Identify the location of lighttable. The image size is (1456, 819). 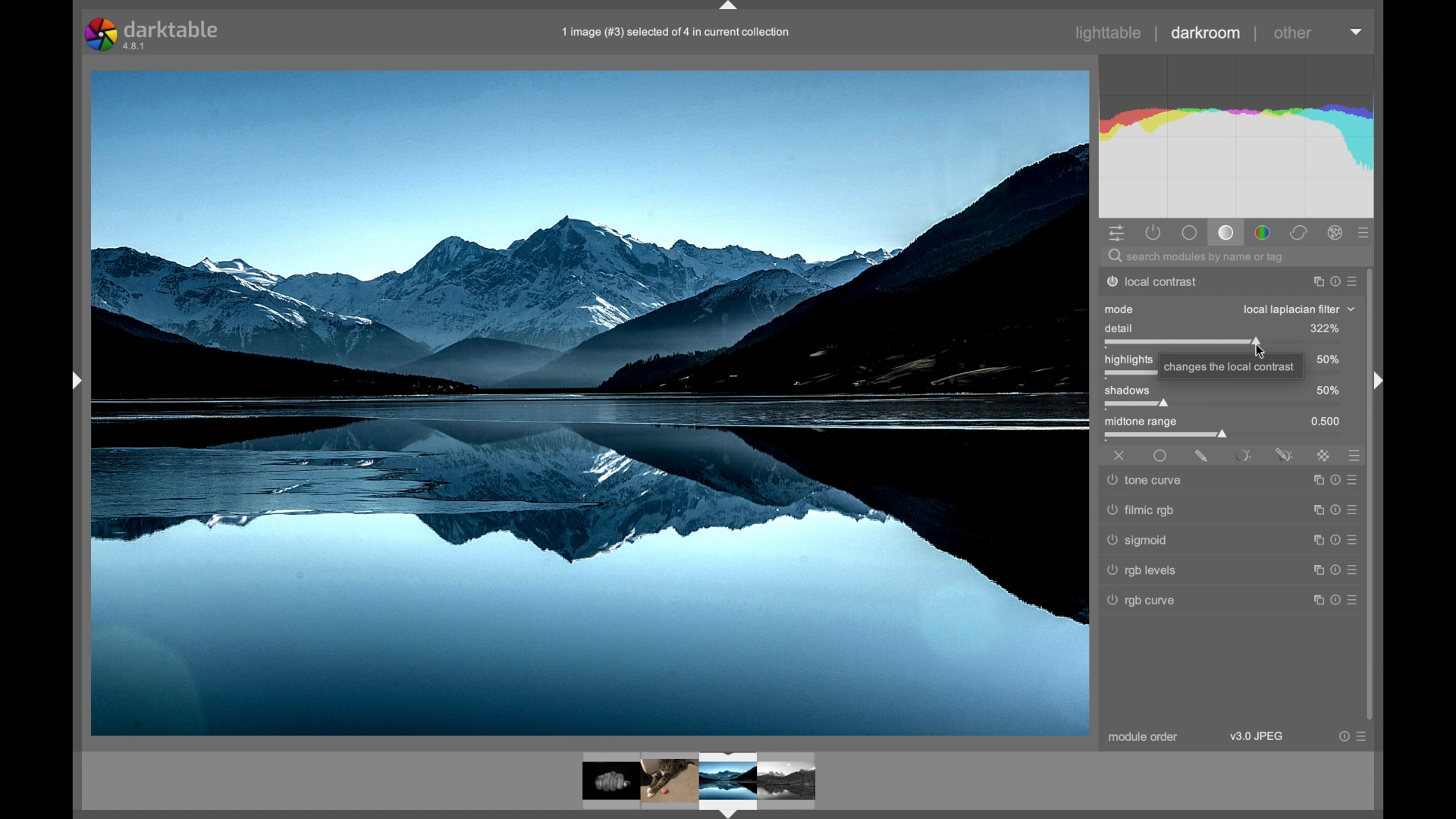
(1109, 33).